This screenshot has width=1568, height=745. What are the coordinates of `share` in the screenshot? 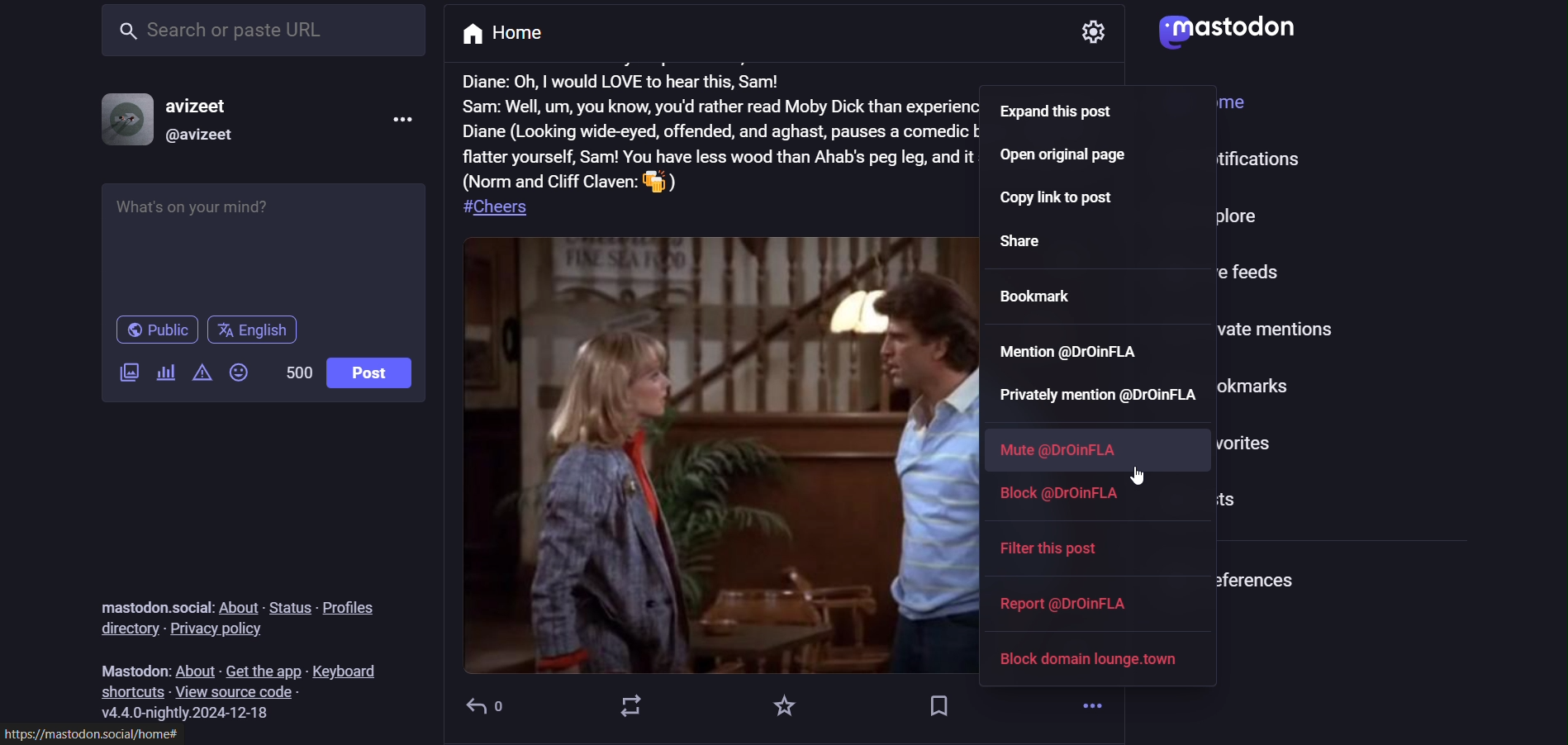 It's located at (1040, 240).